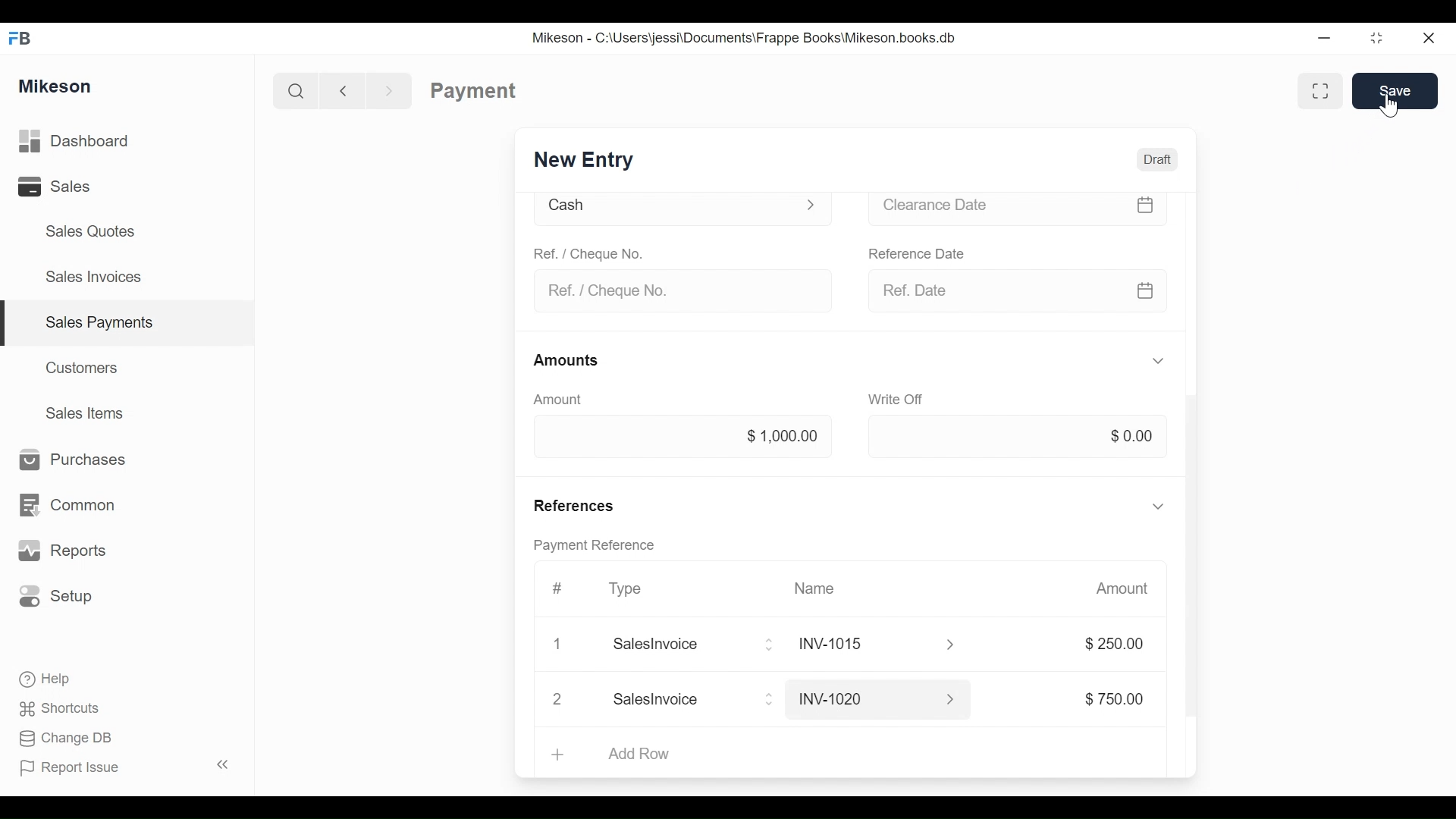  I want to click on Sales payments, so click(102, 322).